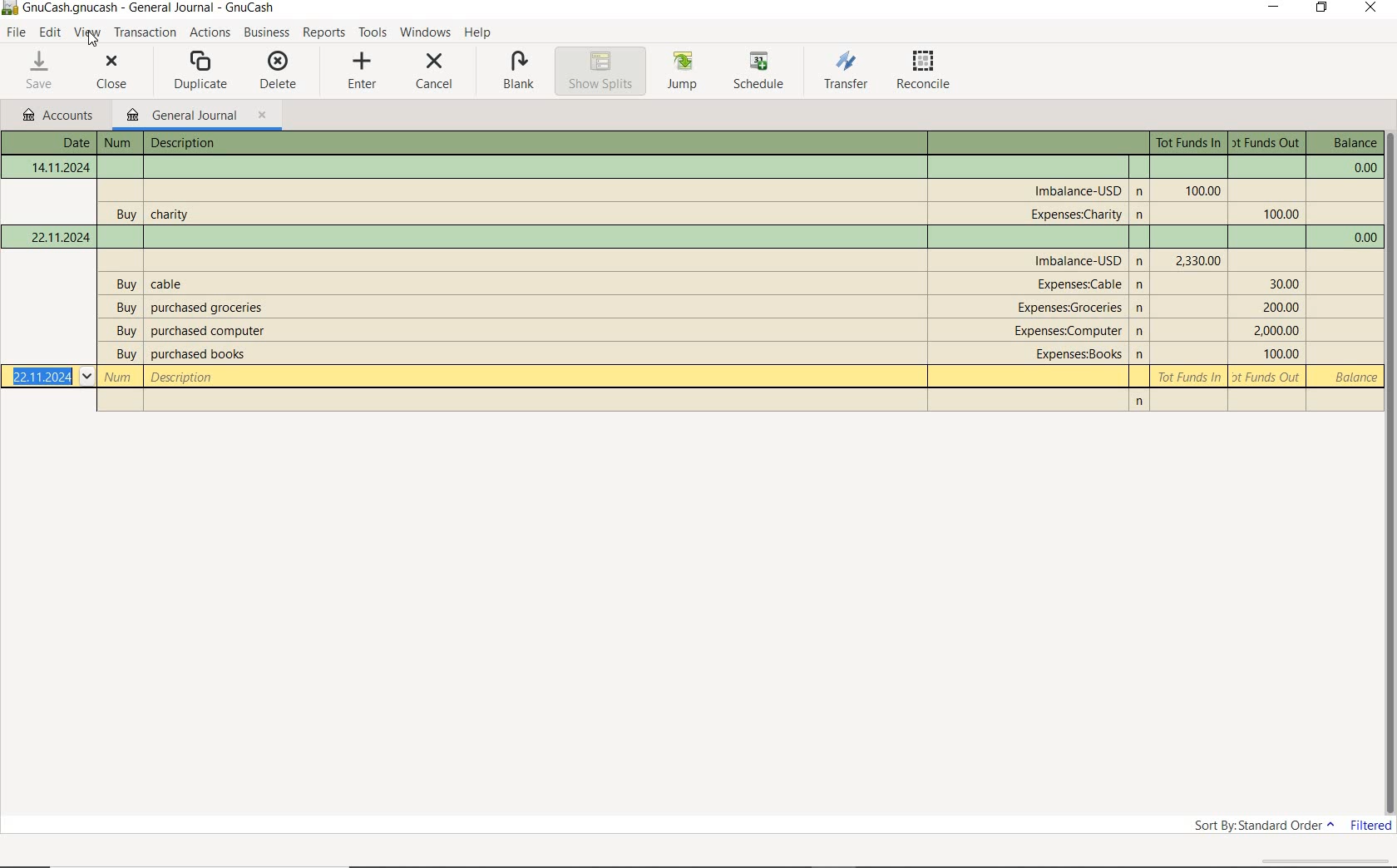 The width and height of the screenshot is (1397, 868). I want to click on REPORTS, so click(325, 33).